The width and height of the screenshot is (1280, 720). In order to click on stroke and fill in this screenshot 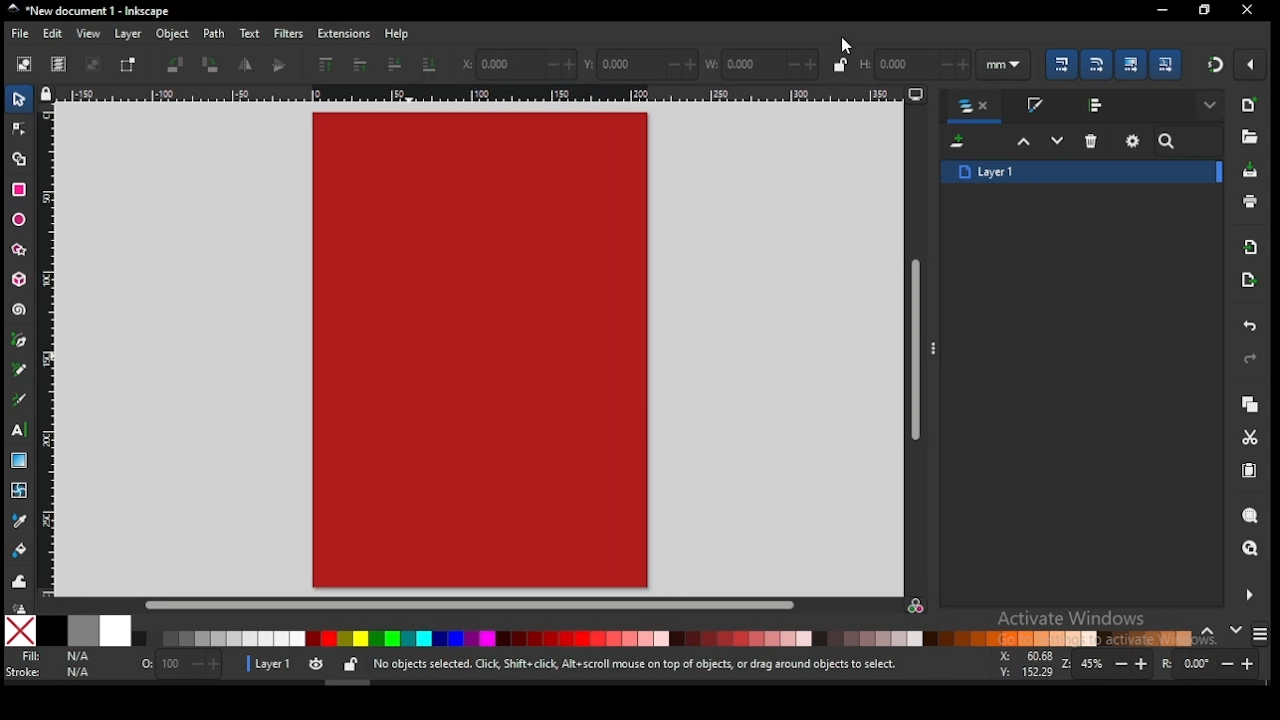, I will do `click(1034, 106)`.